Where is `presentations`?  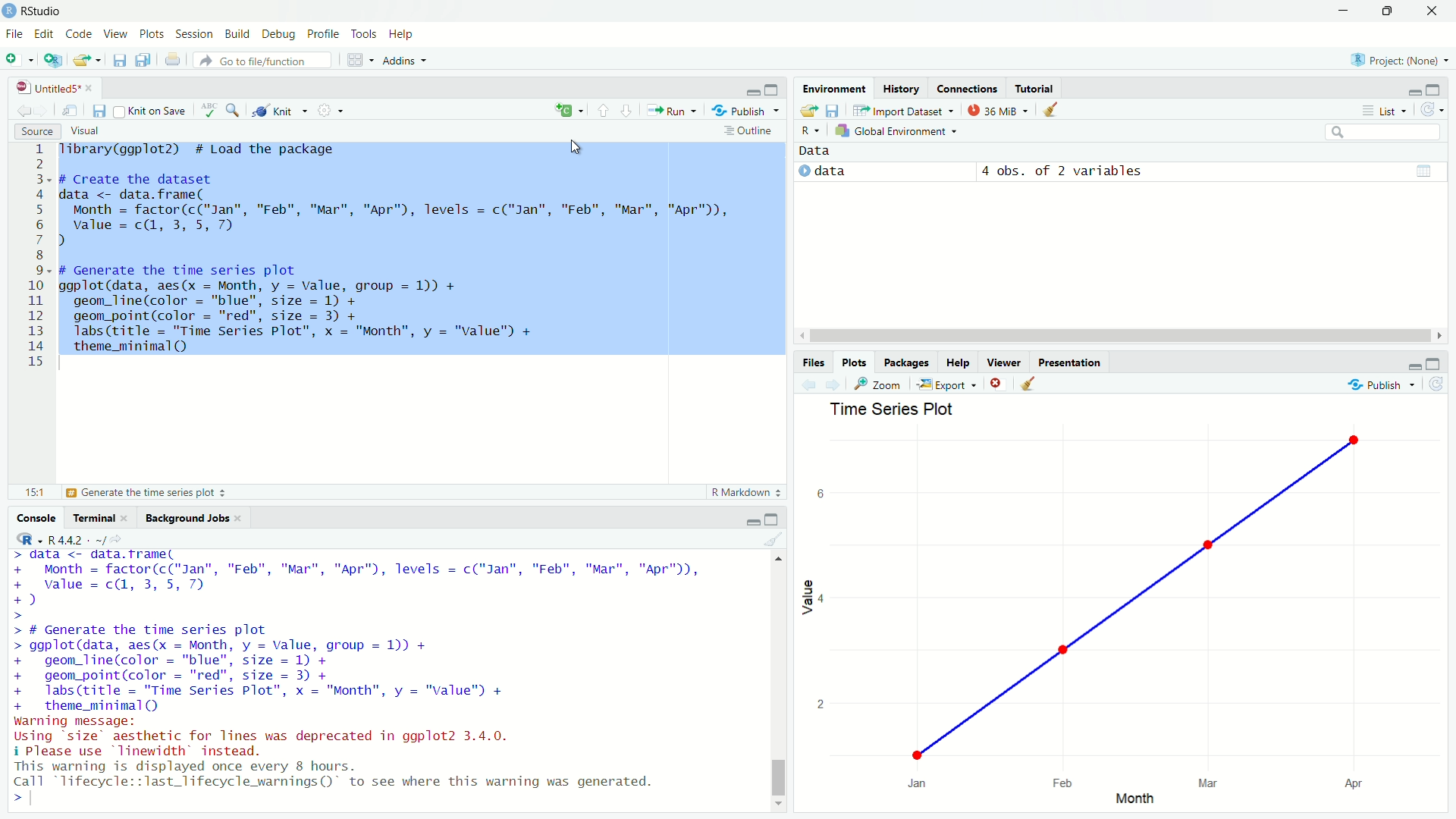
presentations is located at coordinates (1072, 361).